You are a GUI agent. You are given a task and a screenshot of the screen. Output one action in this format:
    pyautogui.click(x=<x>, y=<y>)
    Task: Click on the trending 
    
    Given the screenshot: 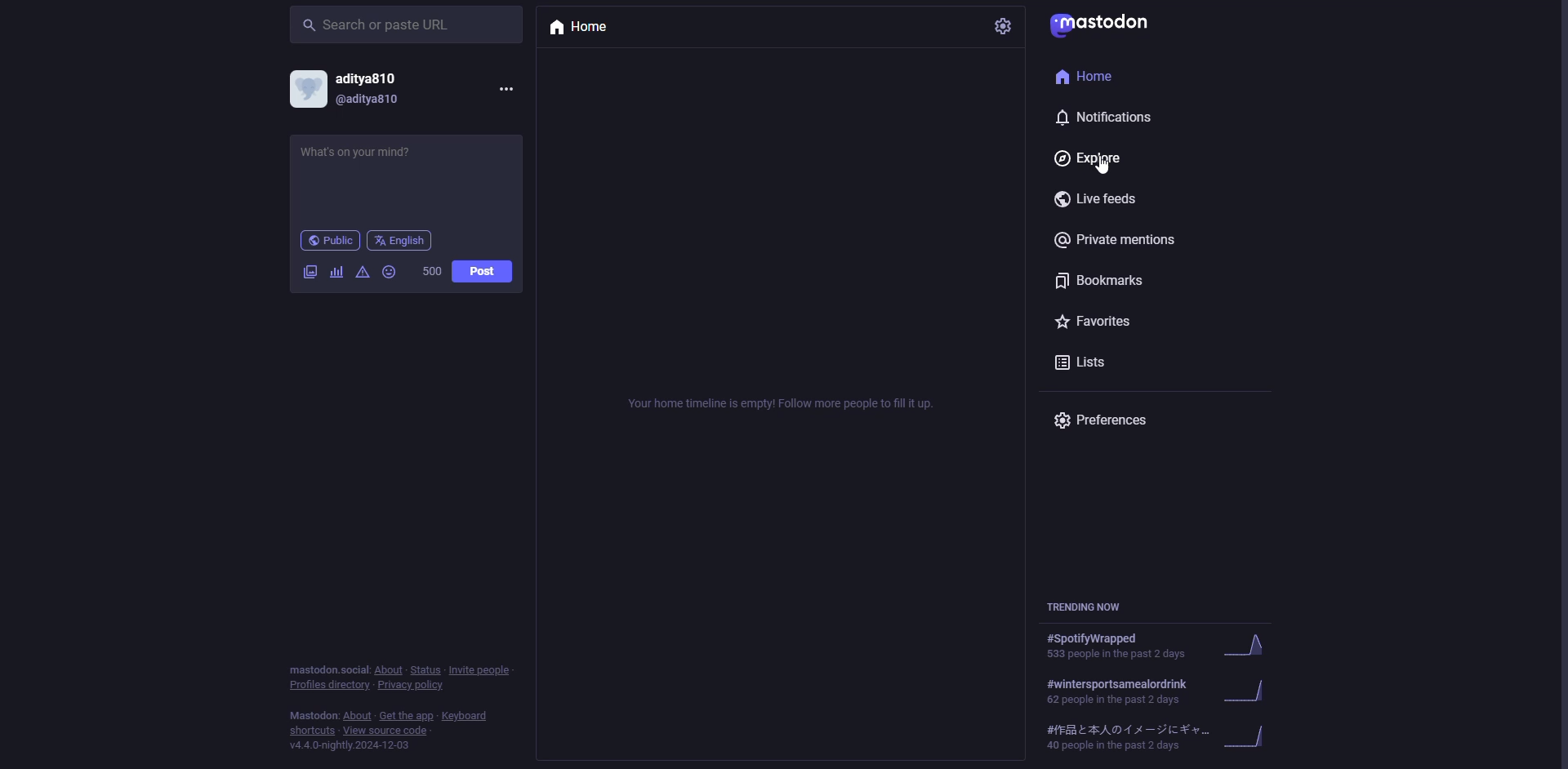 What is the action you would take?
    pyautogui.click(x=1090, y=607)
    